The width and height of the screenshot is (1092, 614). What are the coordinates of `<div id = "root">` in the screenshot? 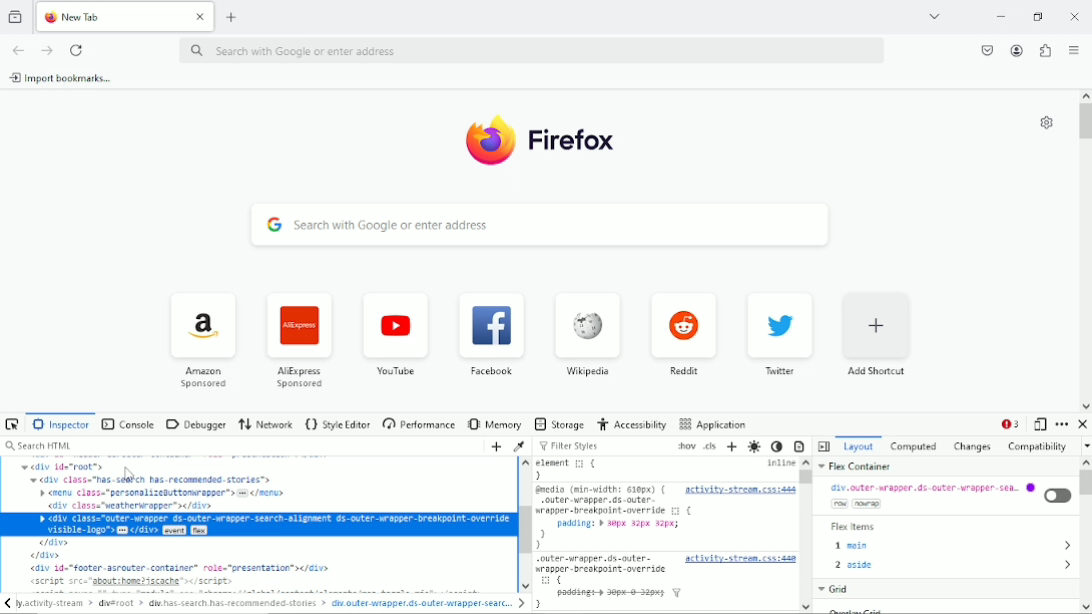 It's located at (65, 468).